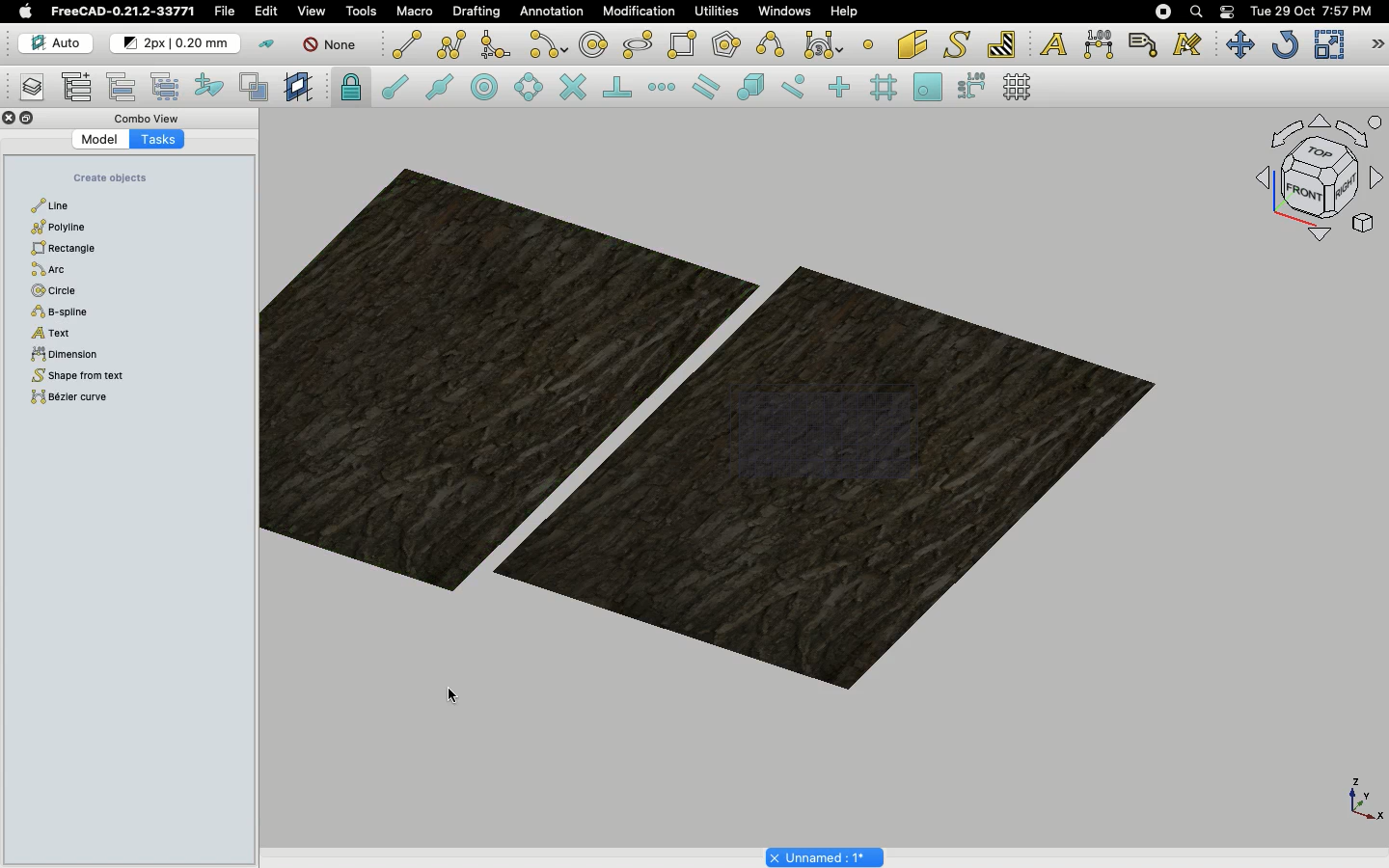 This screenshot has width=1389, height=868. What do you see at coordinates (312, 10) in the screenshot?
I see `View` at bounding box center [312, 10].